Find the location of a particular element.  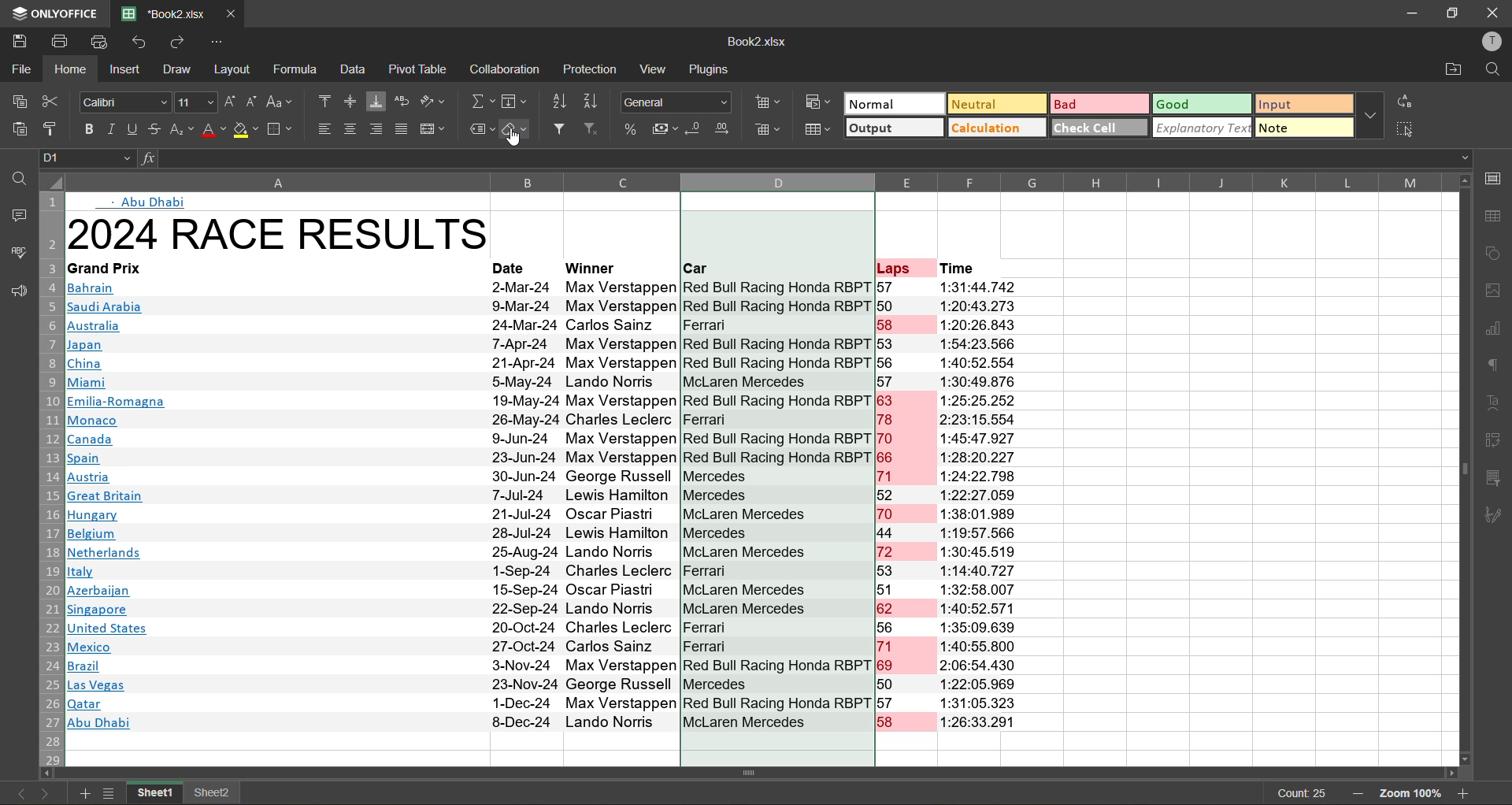

spellcheck is located at coordinates (18, 252).